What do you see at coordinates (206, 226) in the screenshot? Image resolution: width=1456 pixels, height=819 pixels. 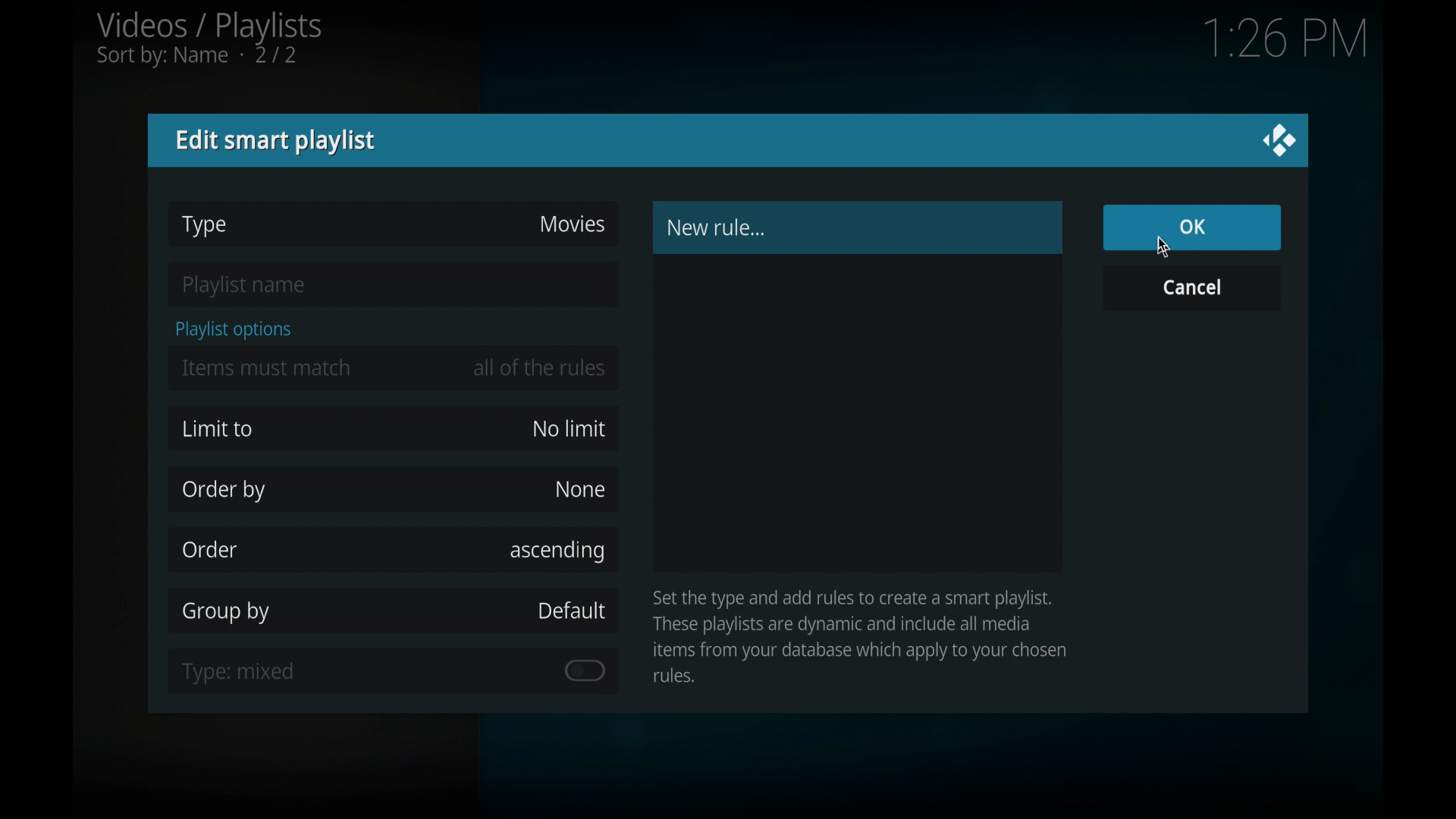 I see `type` at bounding box center [206, 226].